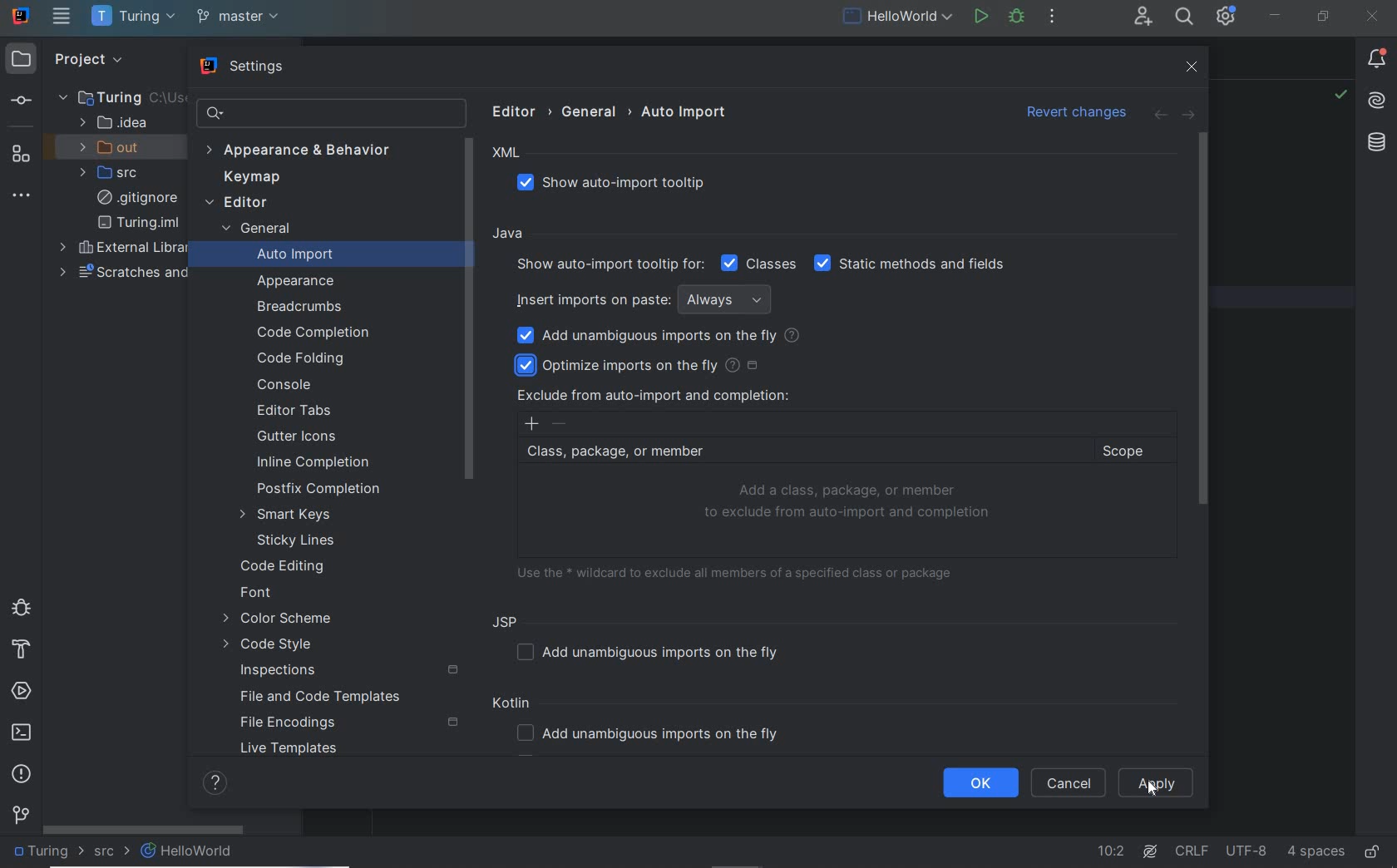 The width and height of the screenshot is (1397, 868). Describe the element at coordinates (277, 620) in the screenshot. I see `COLOR SCHEME` at that location.